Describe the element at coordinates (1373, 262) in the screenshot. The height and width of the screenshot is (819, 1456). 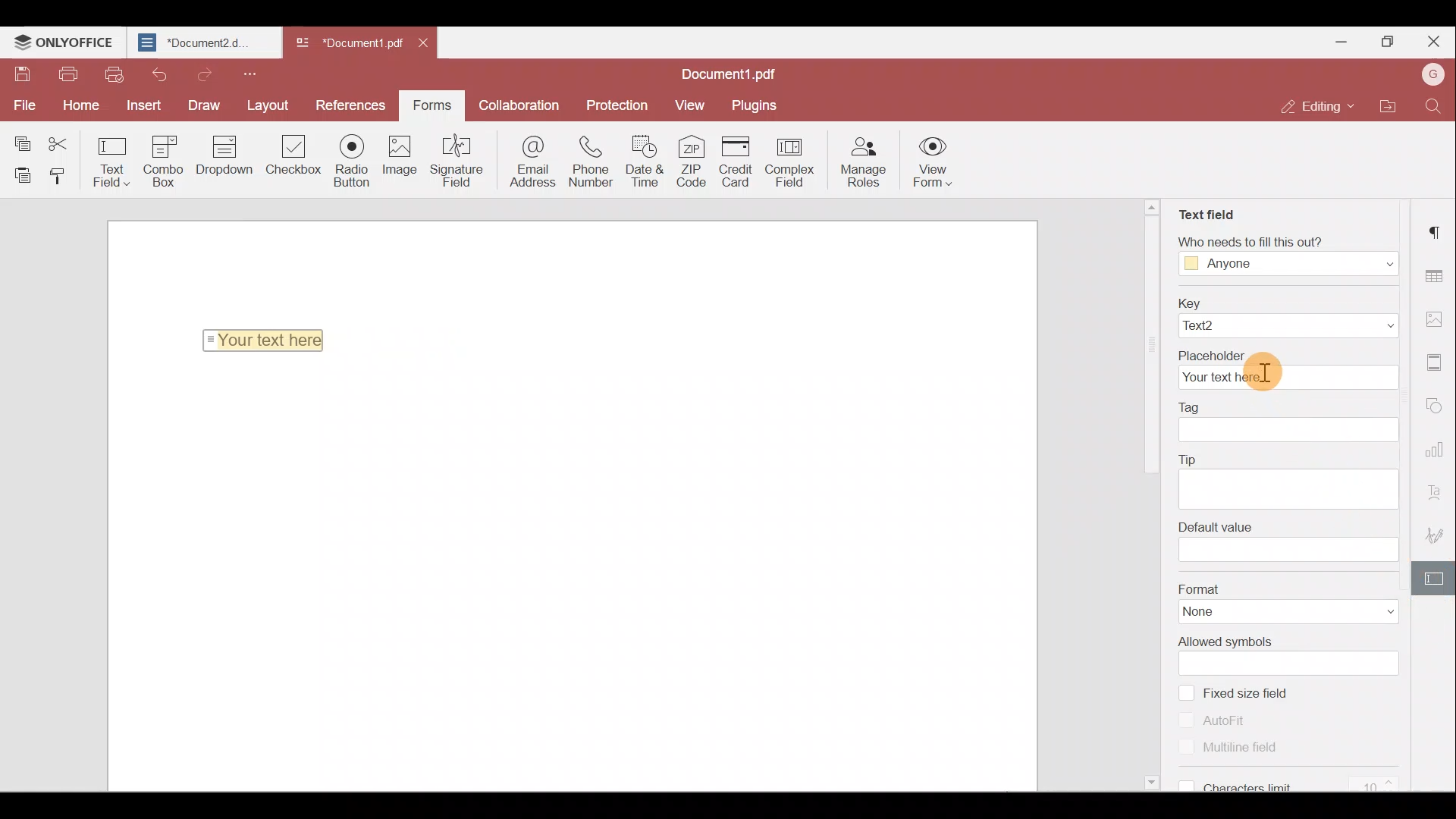
I see `Dropdown` at that location.